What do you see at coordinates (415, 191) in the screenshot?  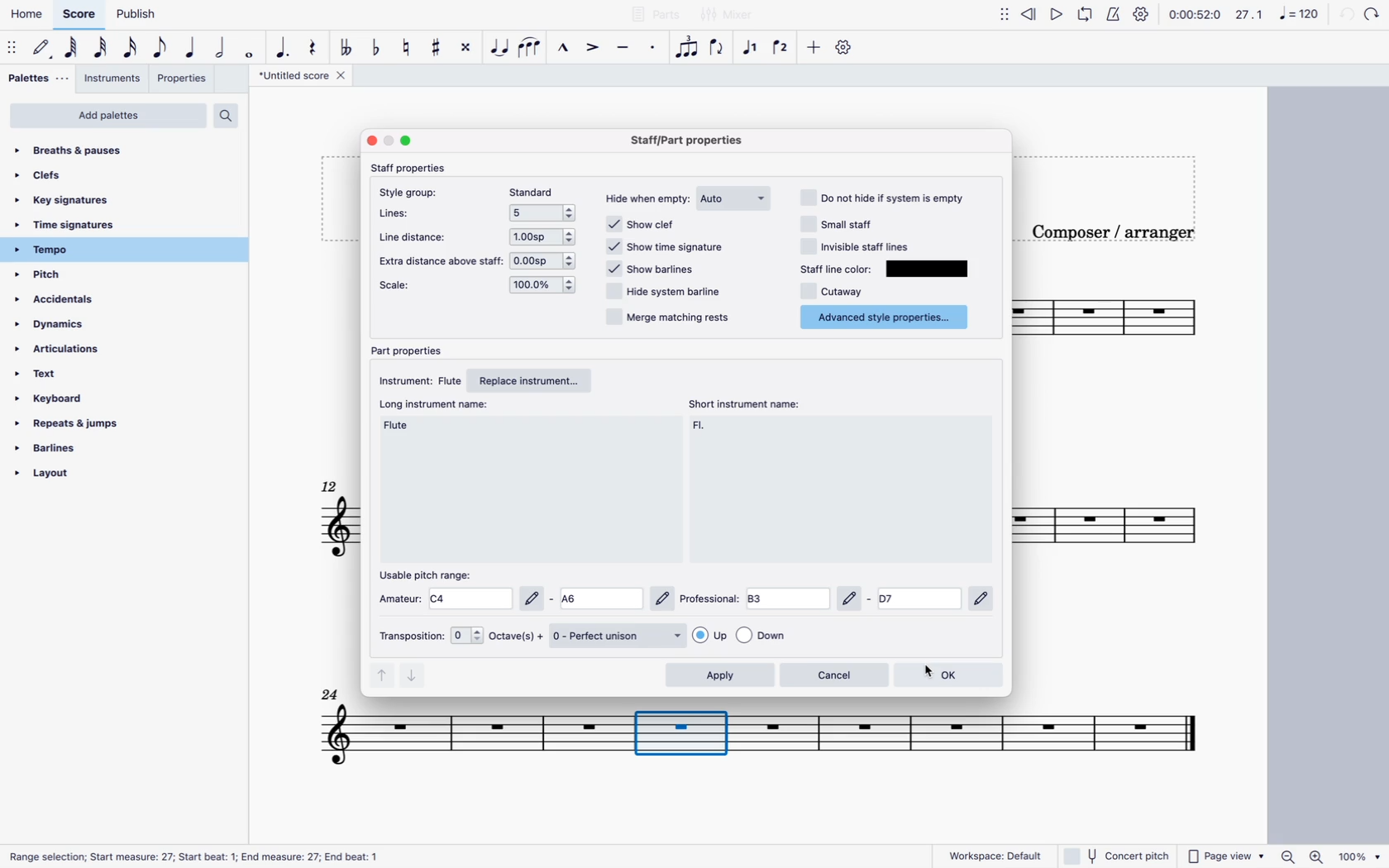 I see `style group` at bounding box center [415, 191].